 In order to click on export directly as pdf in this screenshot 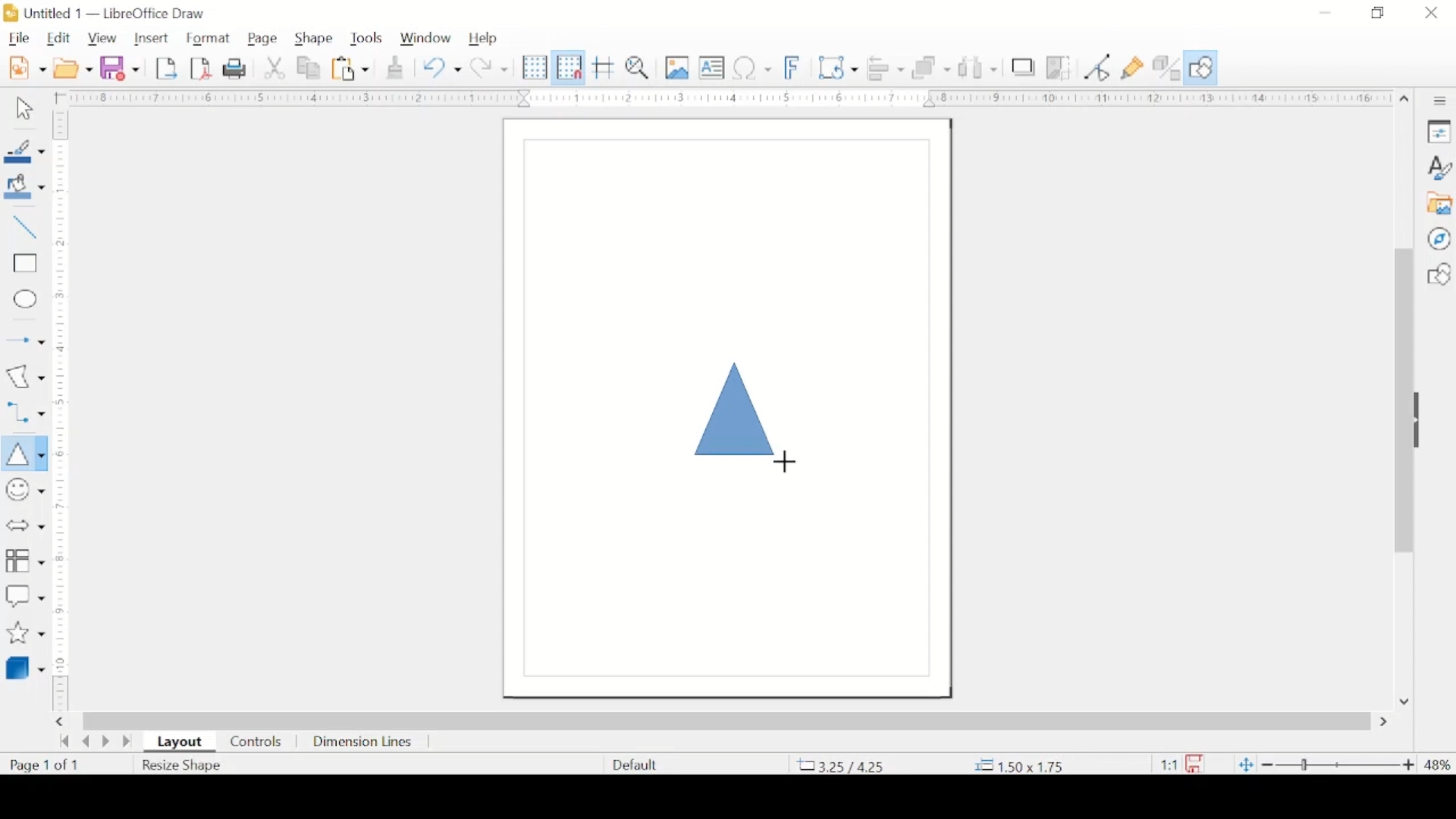, I will do `click(202, 69)`.